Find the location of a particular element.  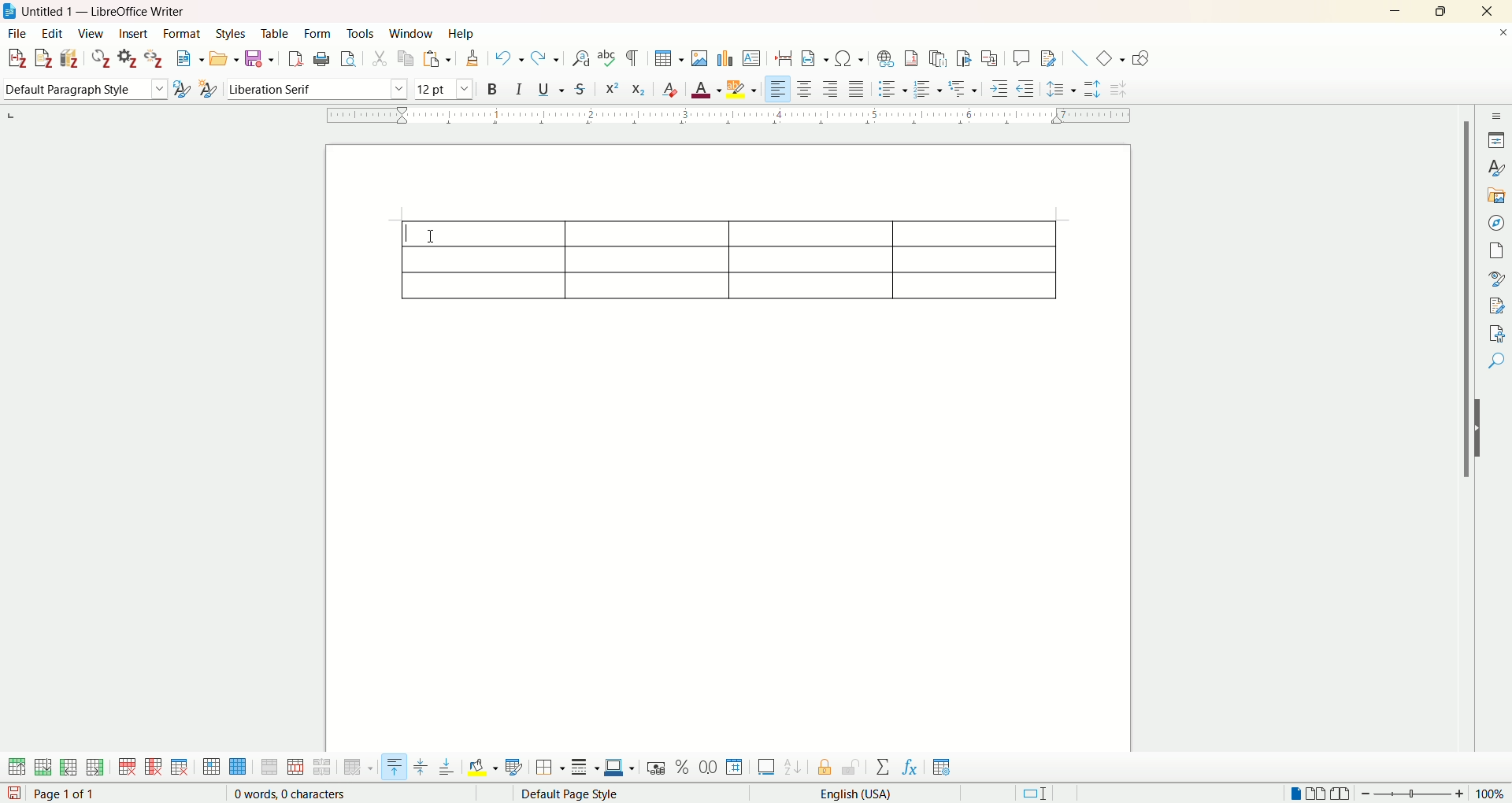

insert comments is located at coordinates (1024, 58).